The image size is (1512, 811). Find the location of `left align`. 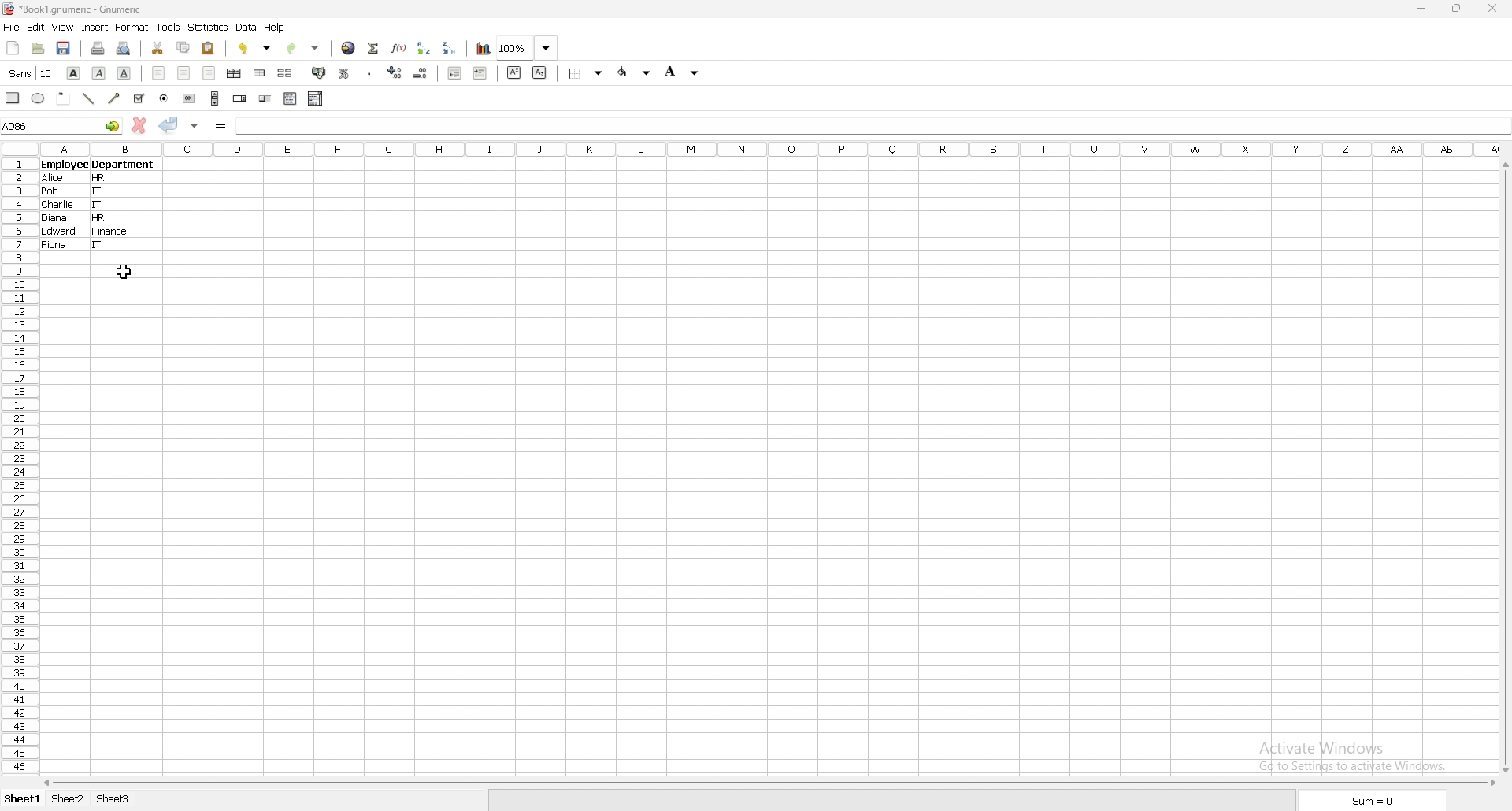

left align is located at coordinates (159, 72).